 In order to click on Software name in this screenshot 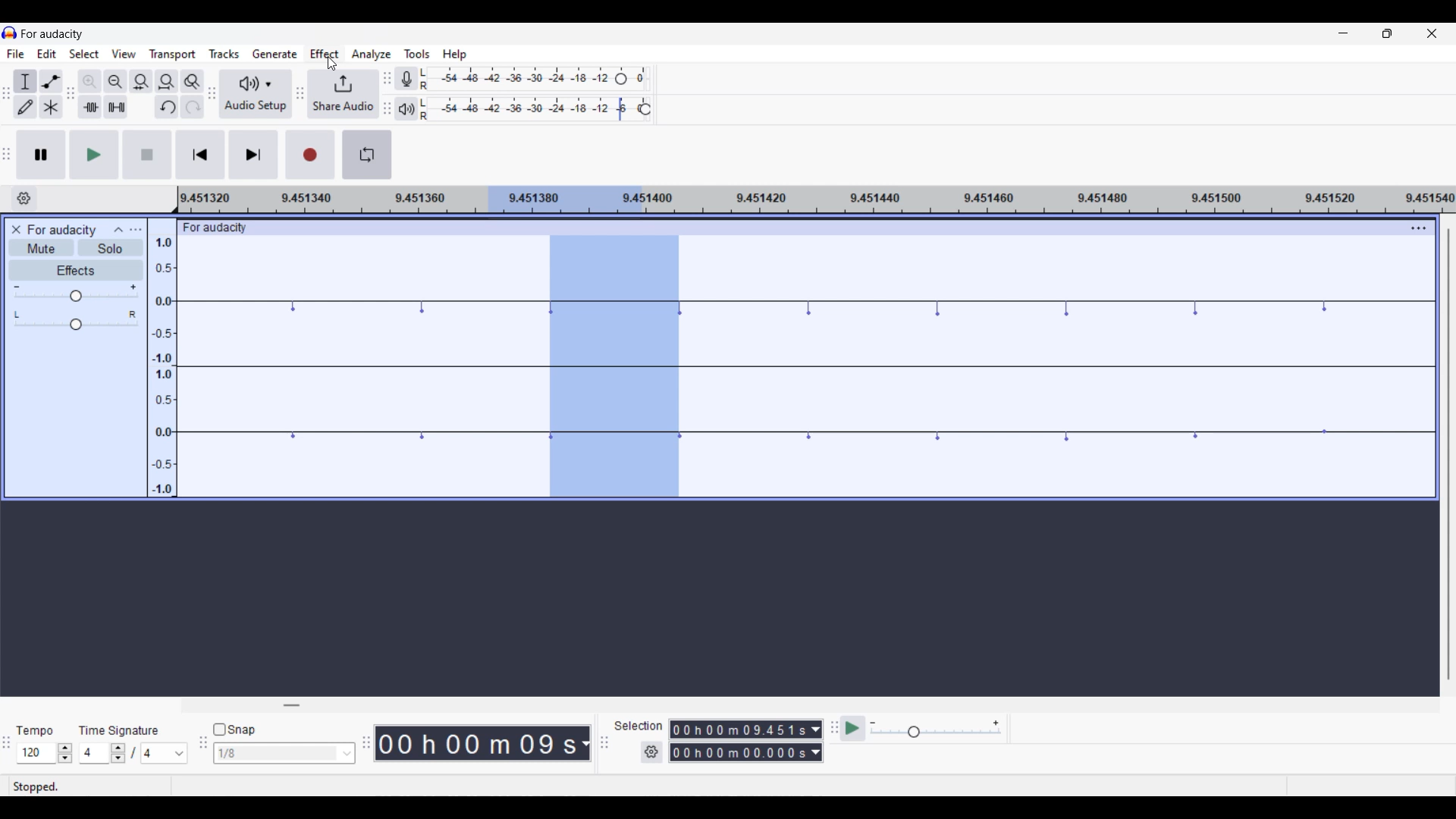, I will do `click(52, 34)`.